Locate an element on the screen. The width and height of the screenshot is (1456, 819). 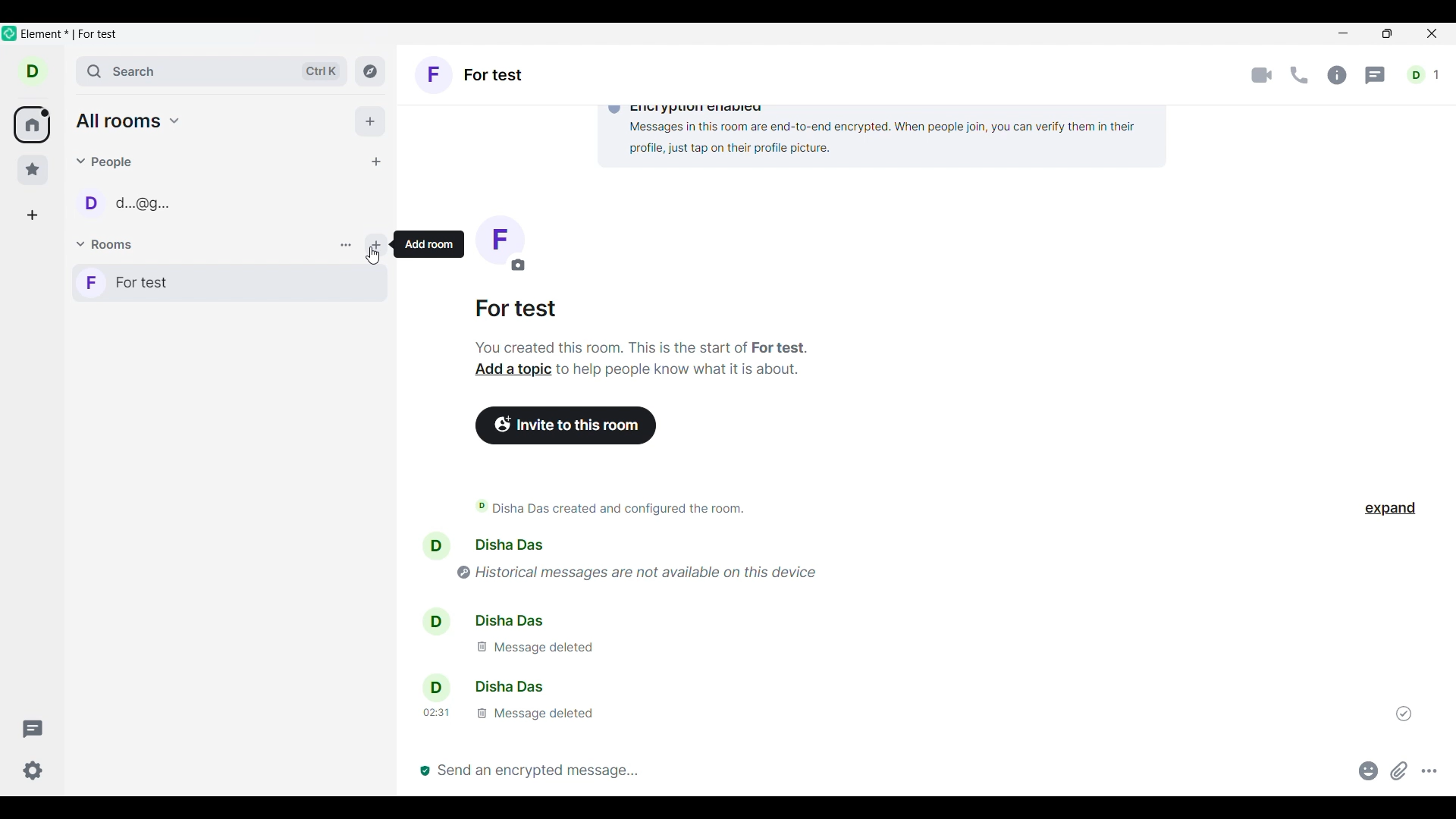
Expand is located at coordinates (1391, 509).